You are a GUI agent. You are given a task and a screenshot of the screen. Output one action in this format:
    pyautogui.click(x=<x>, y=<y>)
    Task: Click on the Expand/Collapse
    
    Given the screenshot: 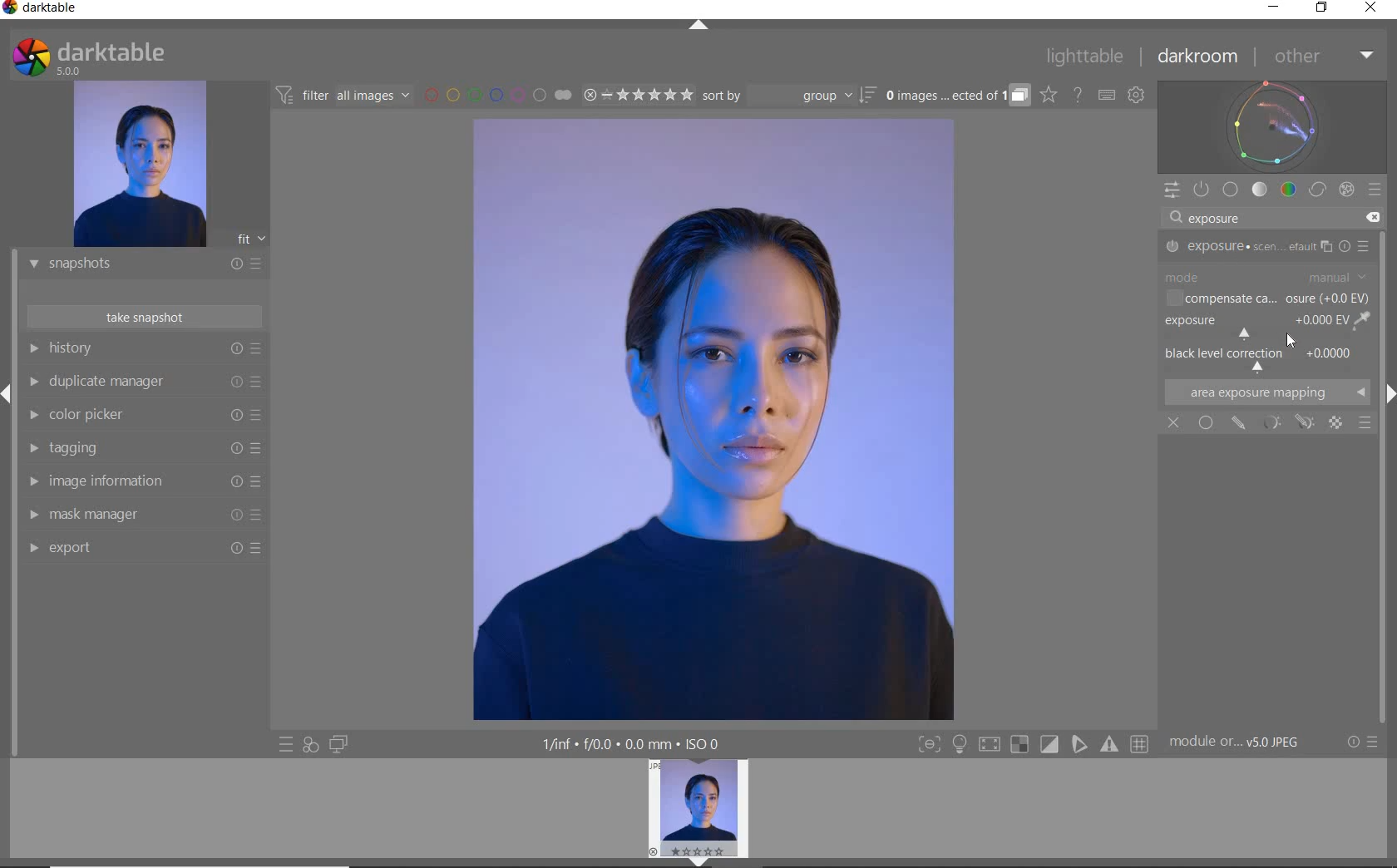 What is the action you would take?
    pyautogui.click(x=8, y=394)
    